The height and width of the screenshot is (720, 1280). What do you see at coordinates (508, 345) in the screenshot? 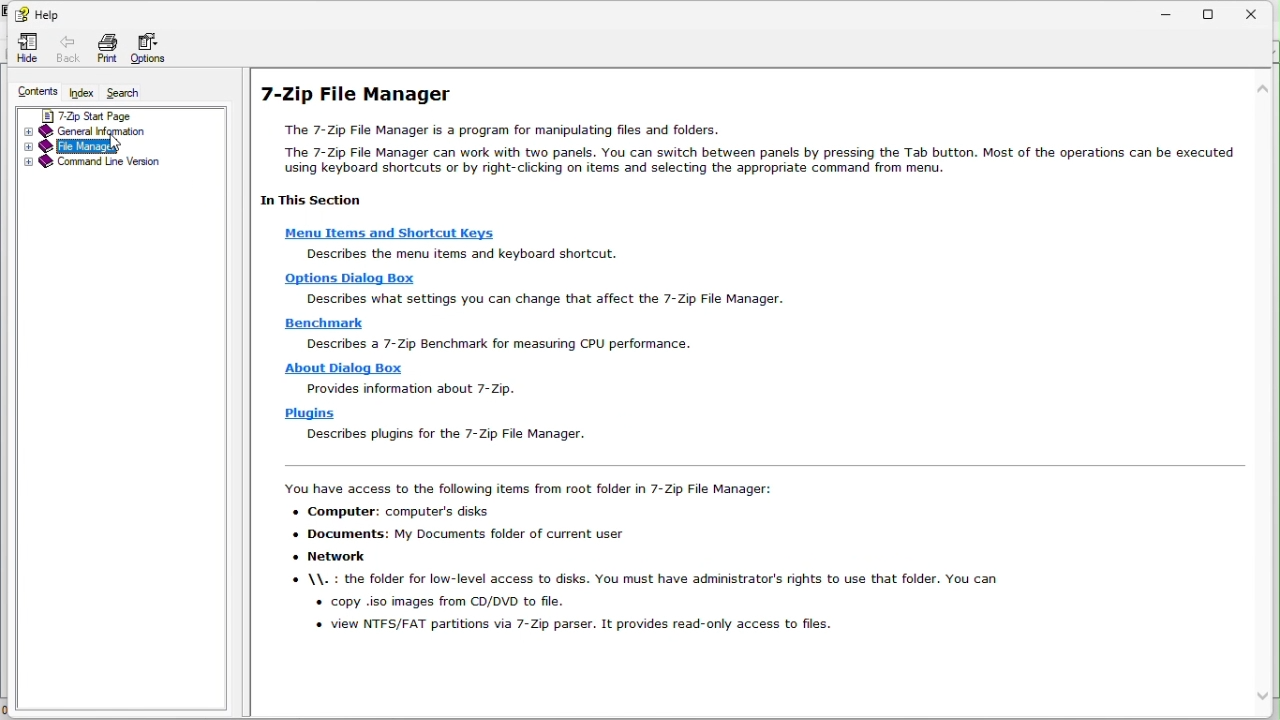
I see `Describe benchmark` at bounding box center [508, 345].